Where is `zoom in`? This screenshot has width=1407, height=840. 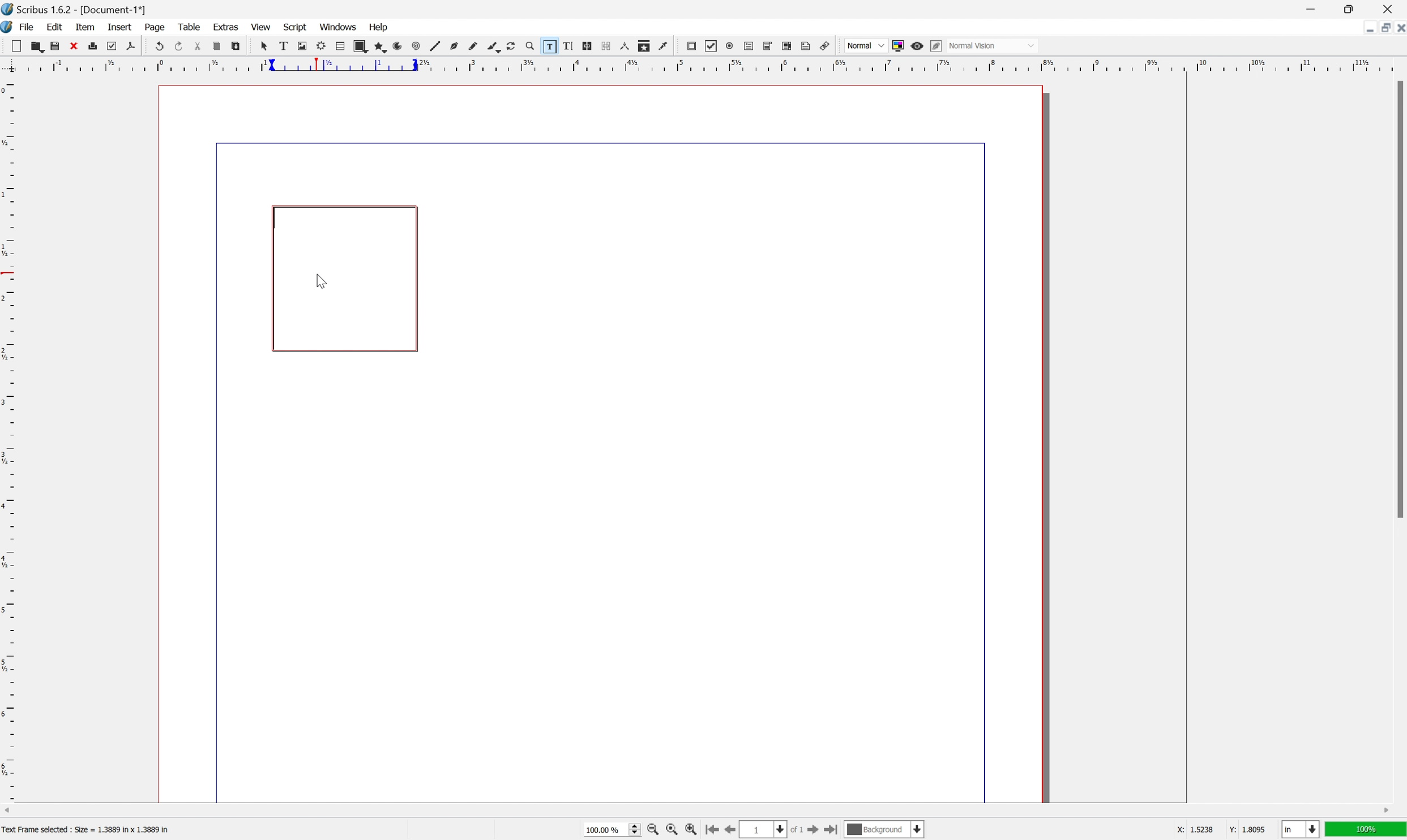
zoom in is located at coordinates (653, 831).